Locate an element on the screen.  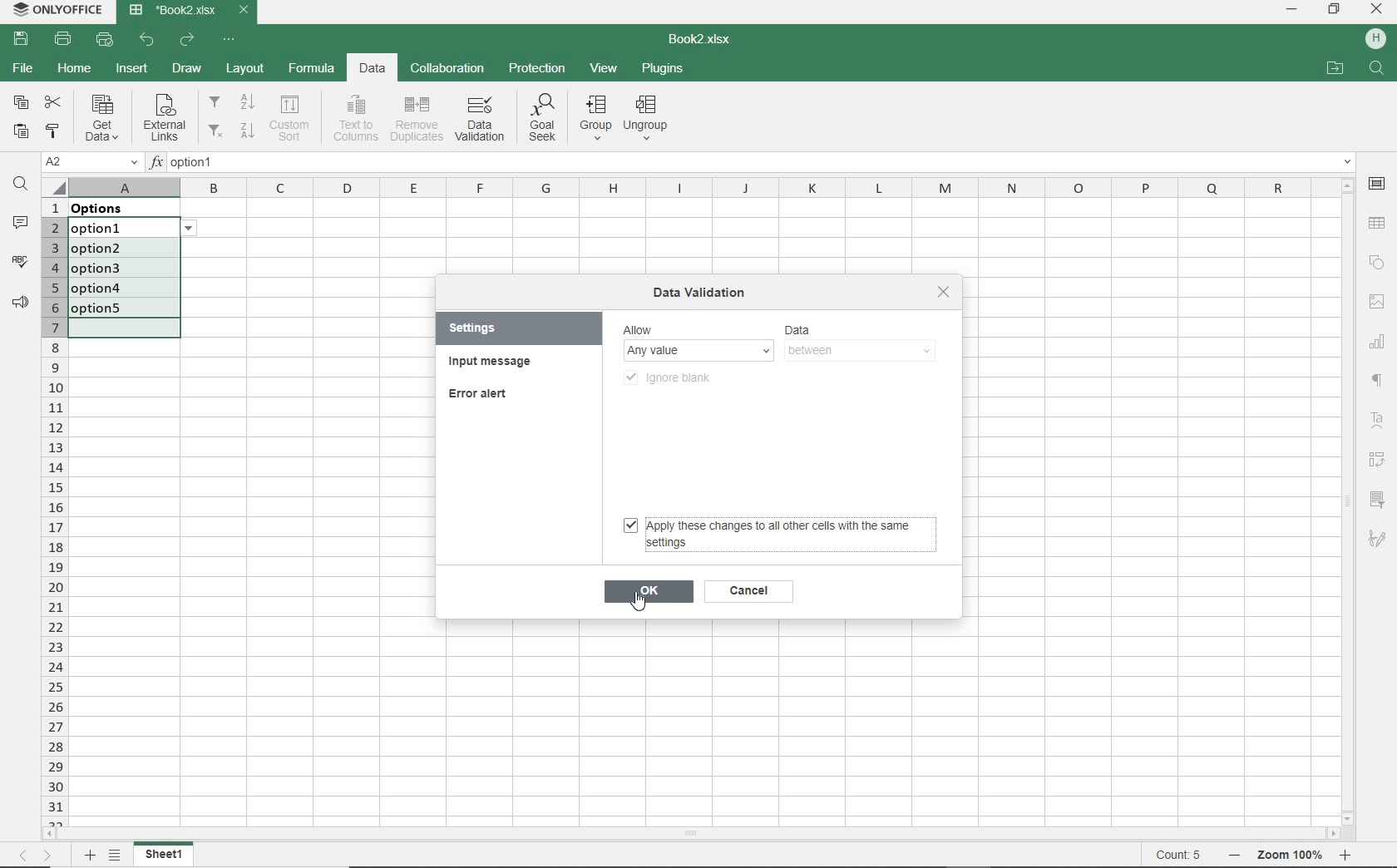
INSERT is located at coordinates (131, 70).